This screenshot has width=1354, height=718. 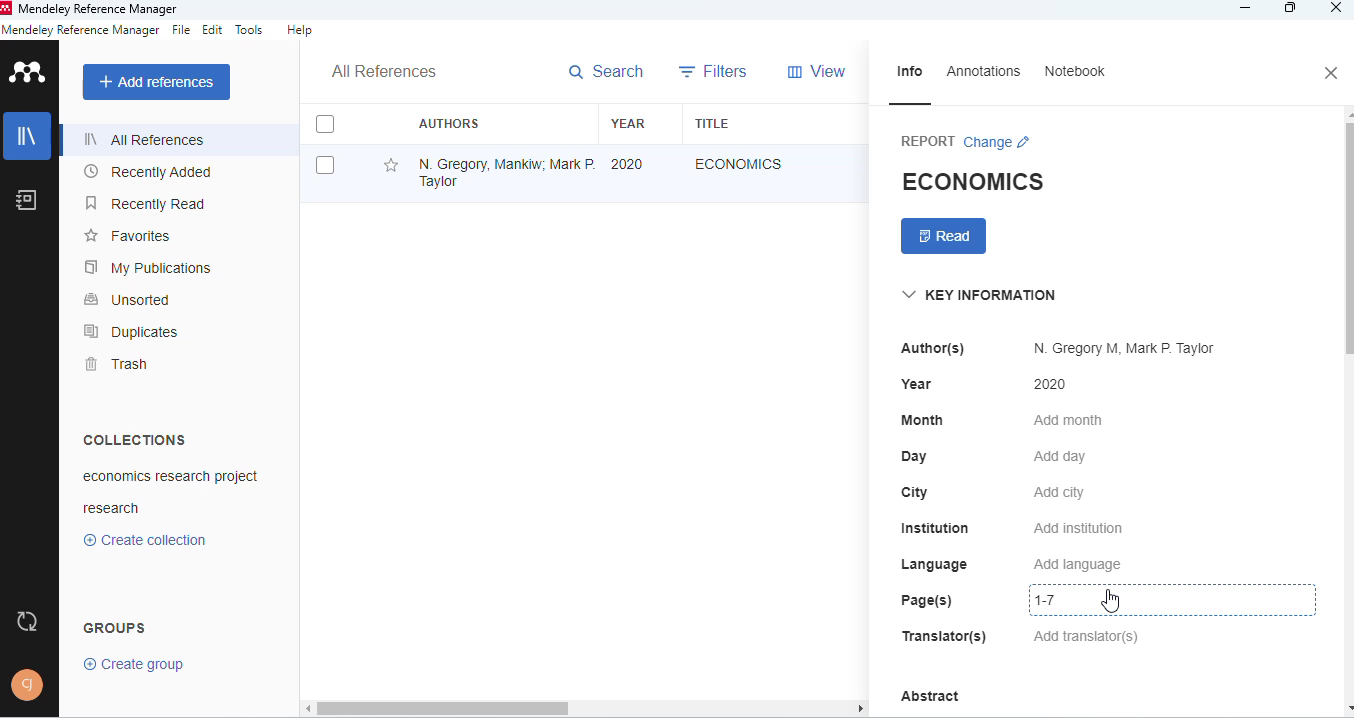 What do you see at coordinates (1079, 528) in the screenshot?
I see `add institution` at bounding box center [1079, 528].